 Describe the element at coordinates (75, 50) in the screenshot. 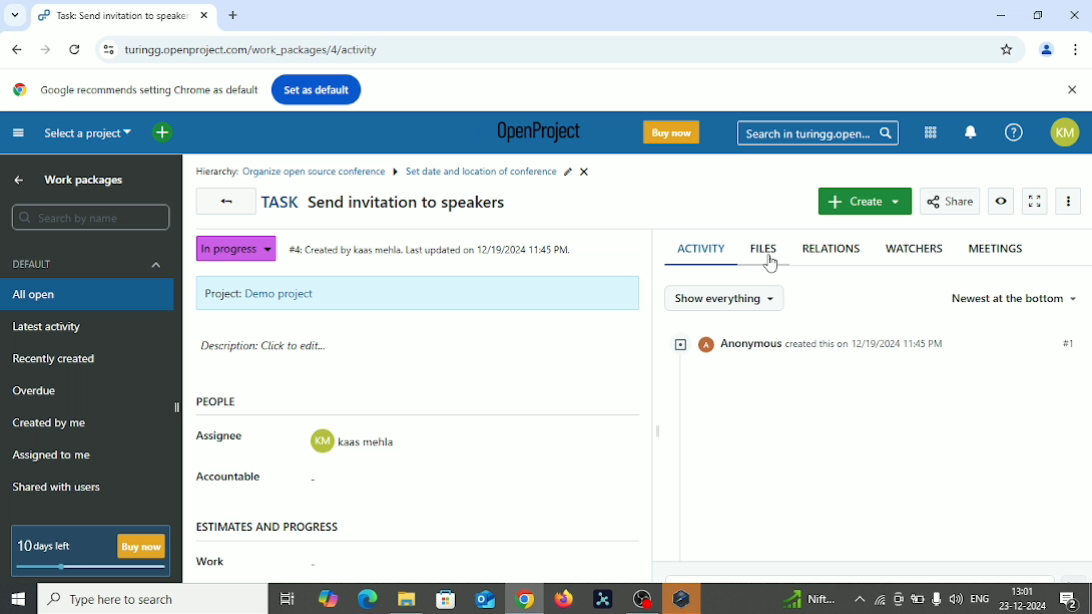

I see `Reload this page` at that location.